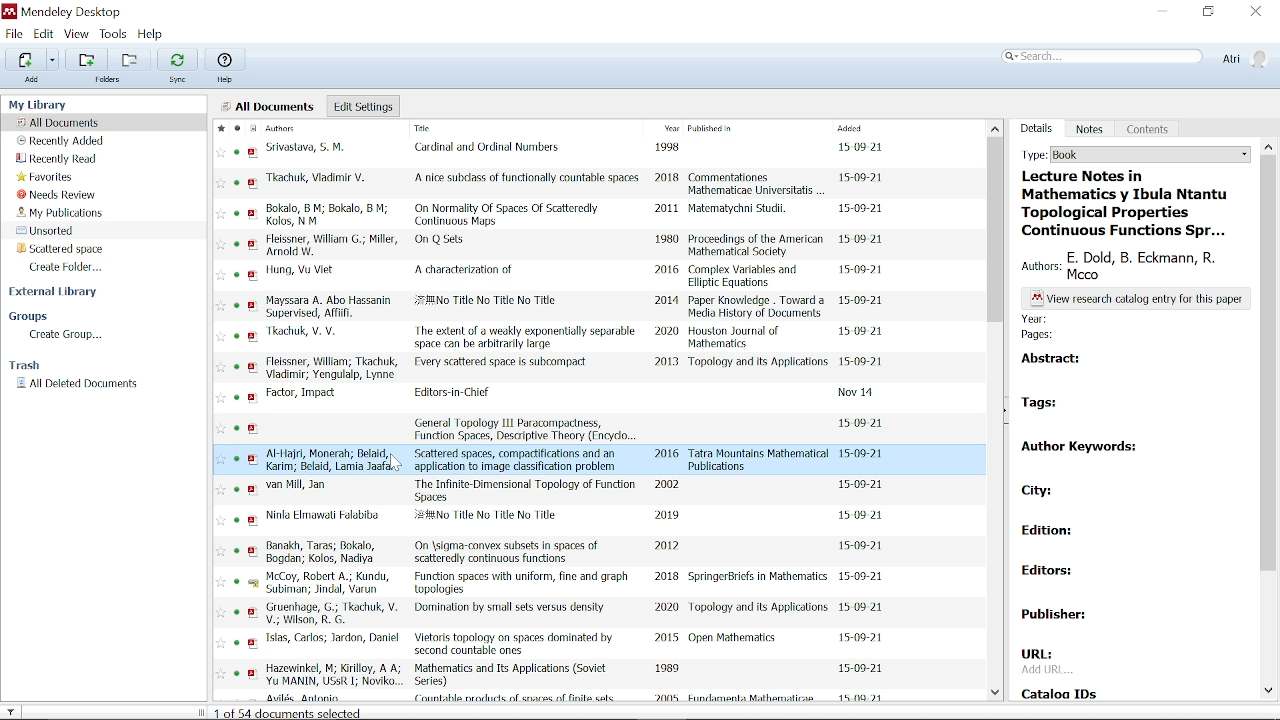 This screenshot has width=1280, height=720. I want to click on URL, so click(1044, 661).